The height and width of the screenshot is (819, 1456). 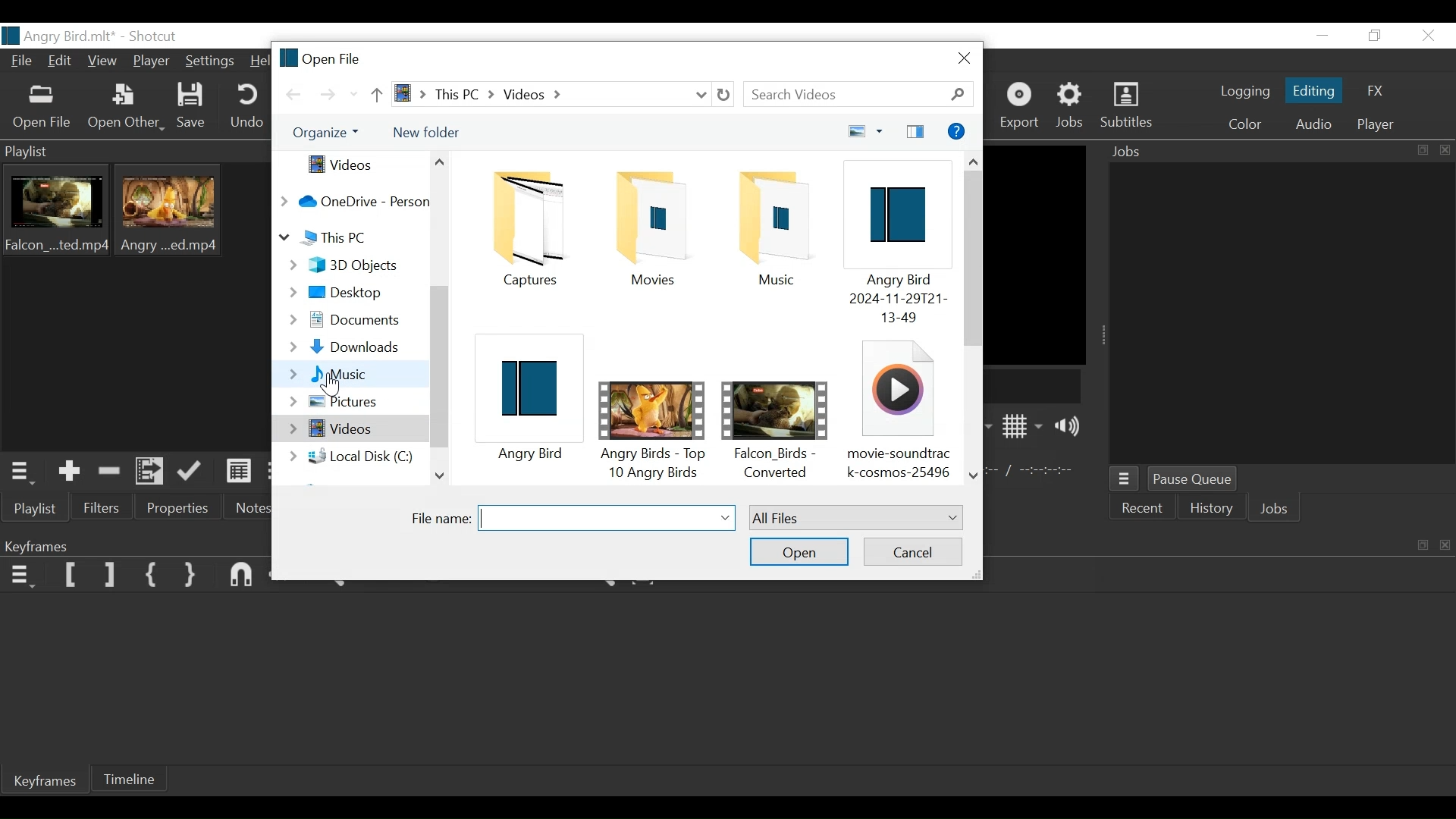 I want to click on Shotcut File, so click(x=899, y=245).